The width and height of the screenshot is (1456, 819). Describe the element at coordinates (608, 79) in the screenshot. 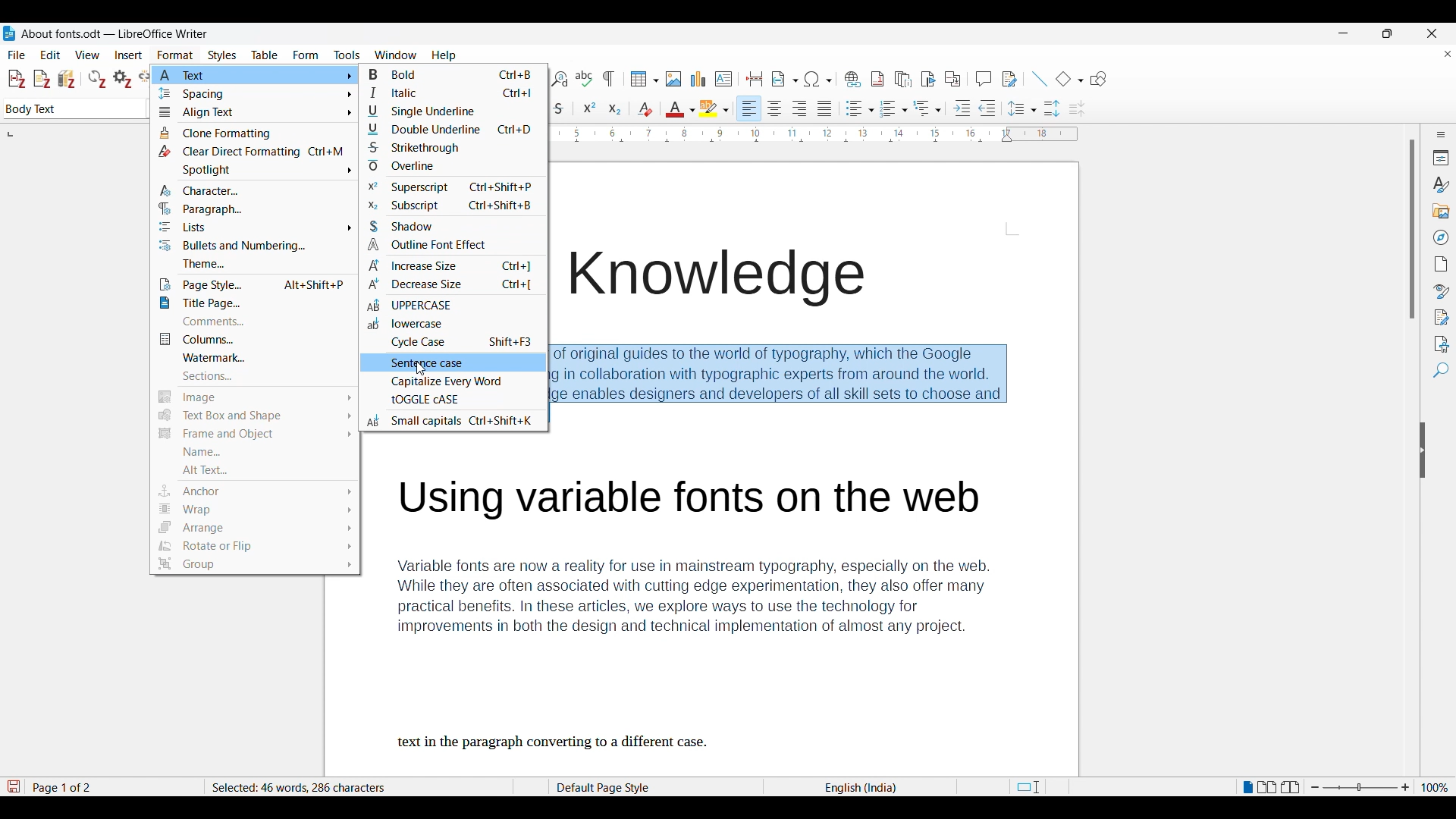

I see `Toggle formatting marks` at that location.